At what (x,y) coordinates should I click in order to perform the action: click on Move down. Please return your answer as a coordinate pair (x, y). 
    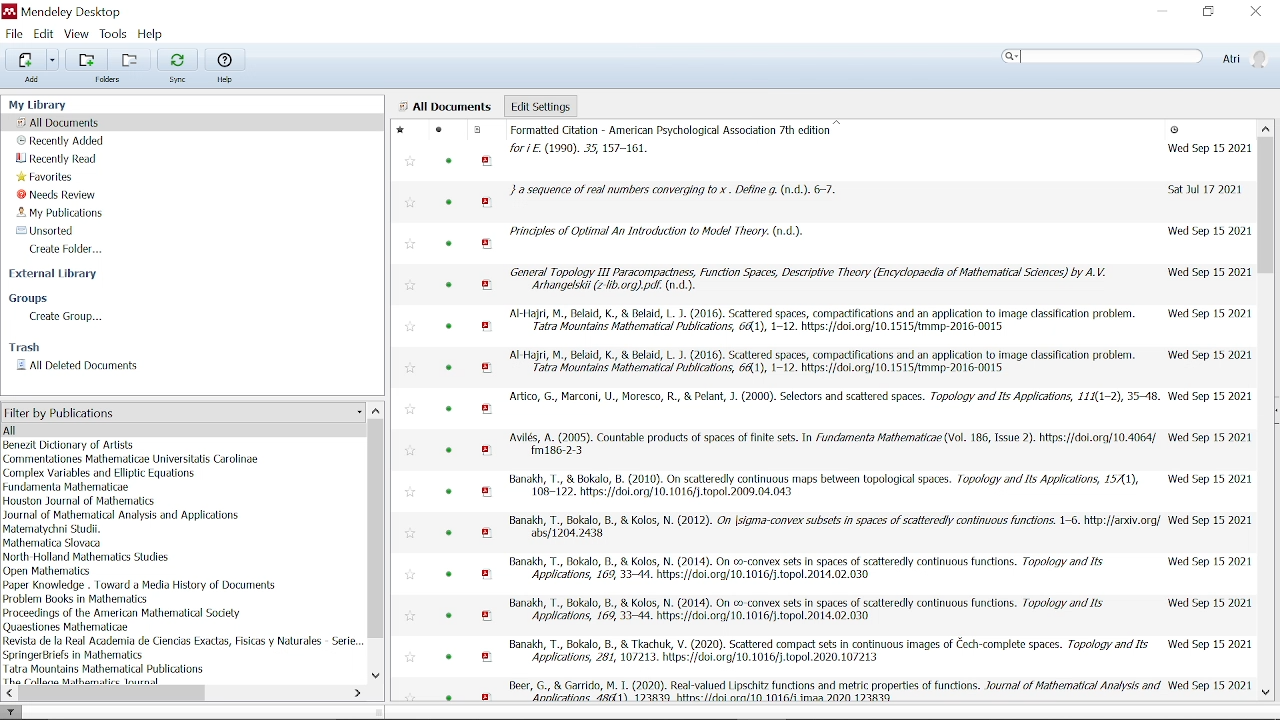
    Looking at the image, I should click on (1266, 693).